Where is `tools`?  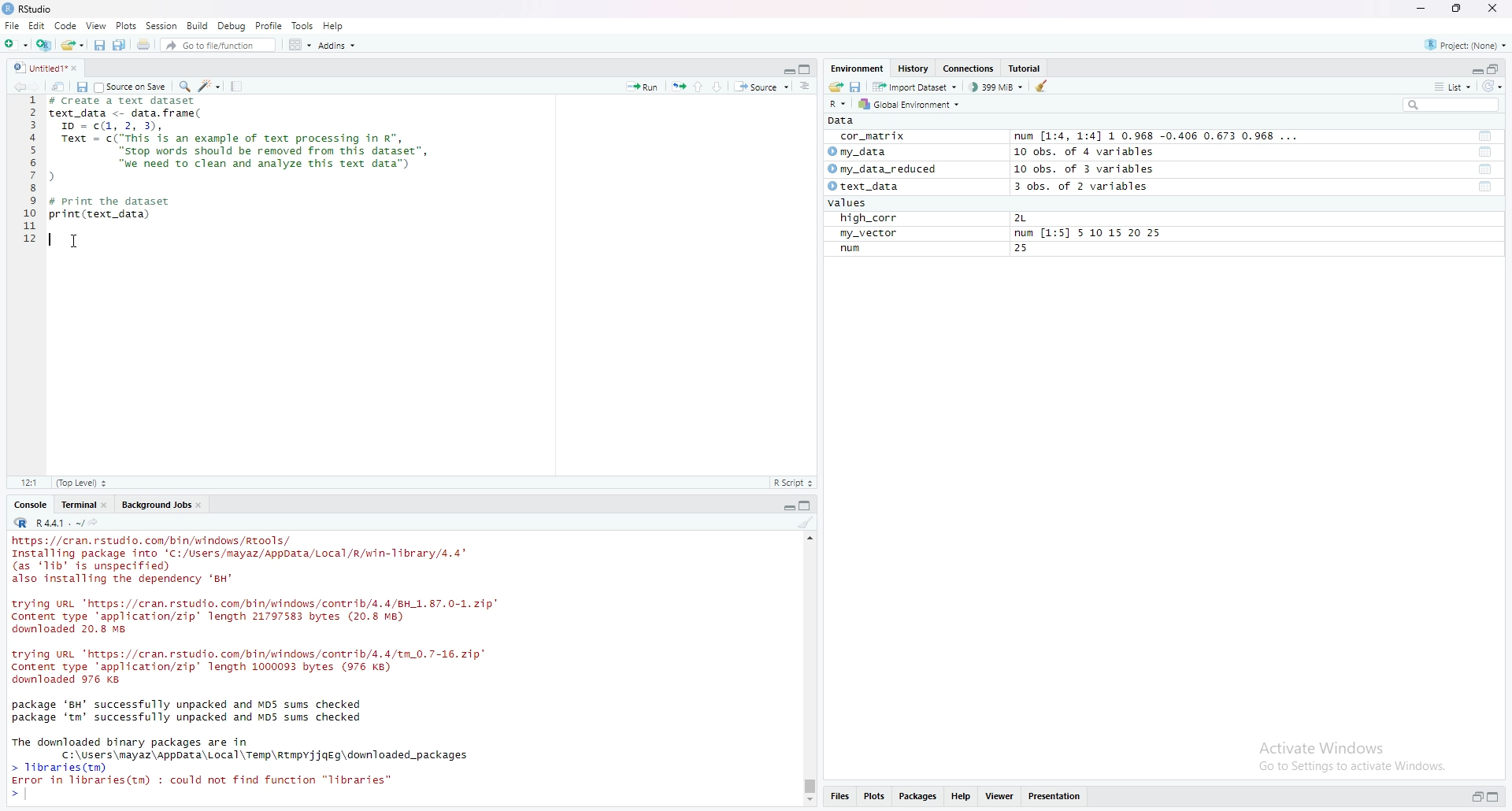
tools is located at coordinates (304, 26).